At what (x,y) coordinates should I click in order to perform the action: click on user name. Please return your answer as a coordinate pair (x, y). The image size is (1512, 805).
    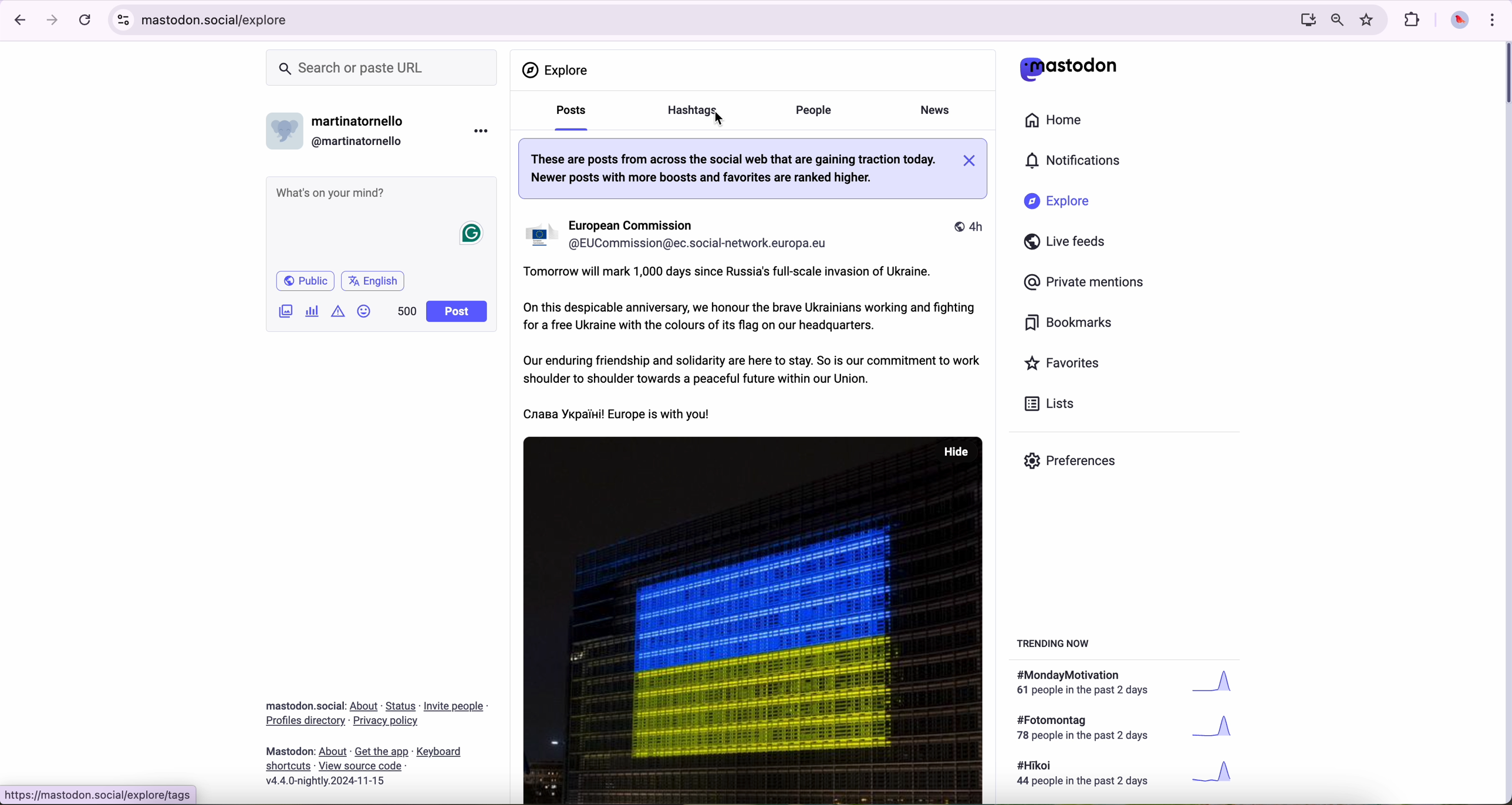
    Looking at the image, I should click on (362, 122).